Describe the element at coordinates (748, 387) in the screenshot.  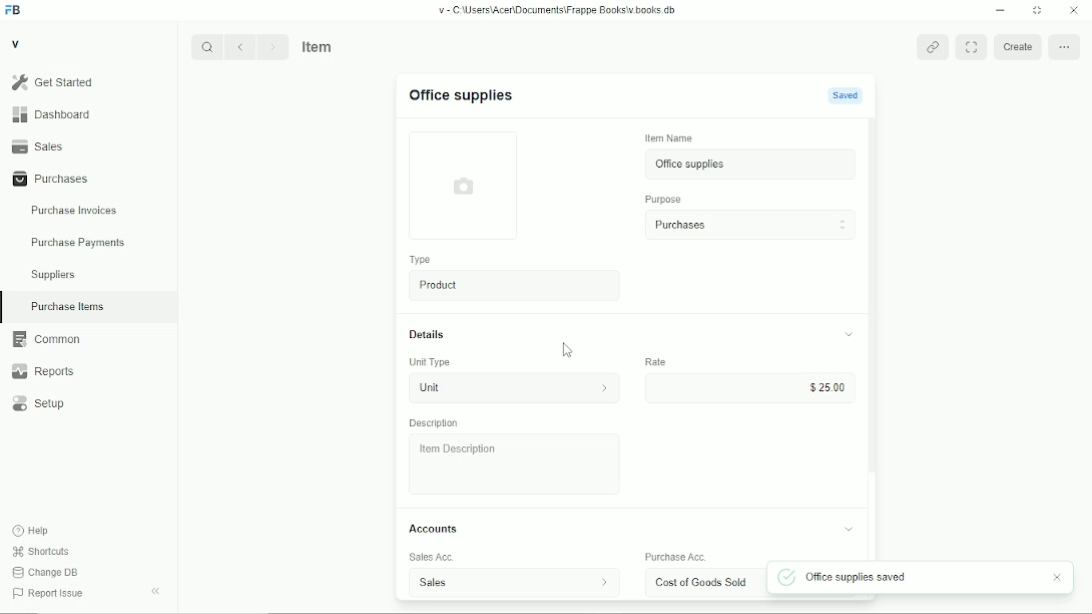
I see `25` at that location.